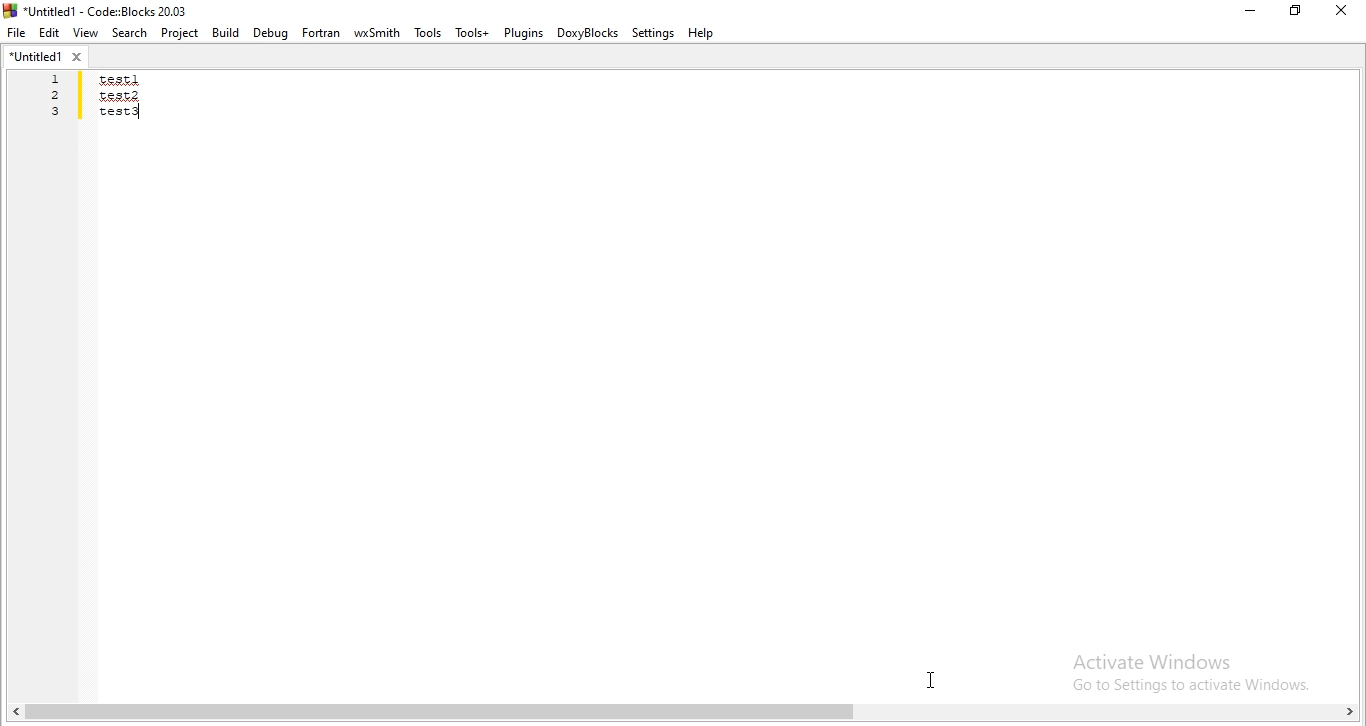  What do you see at coordinates (470, 33) in the screenshot?
I see `tools+` at bounding box center [470, 33].